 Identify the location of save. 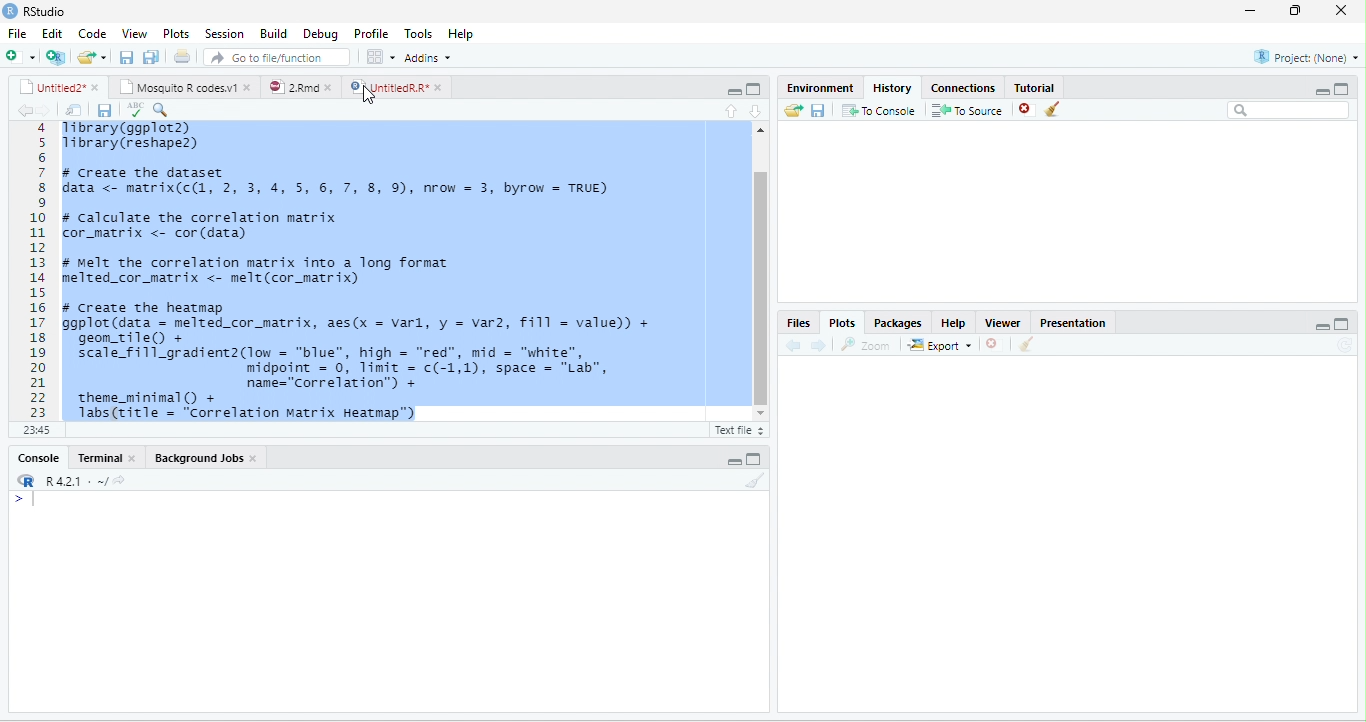
(98, 110).